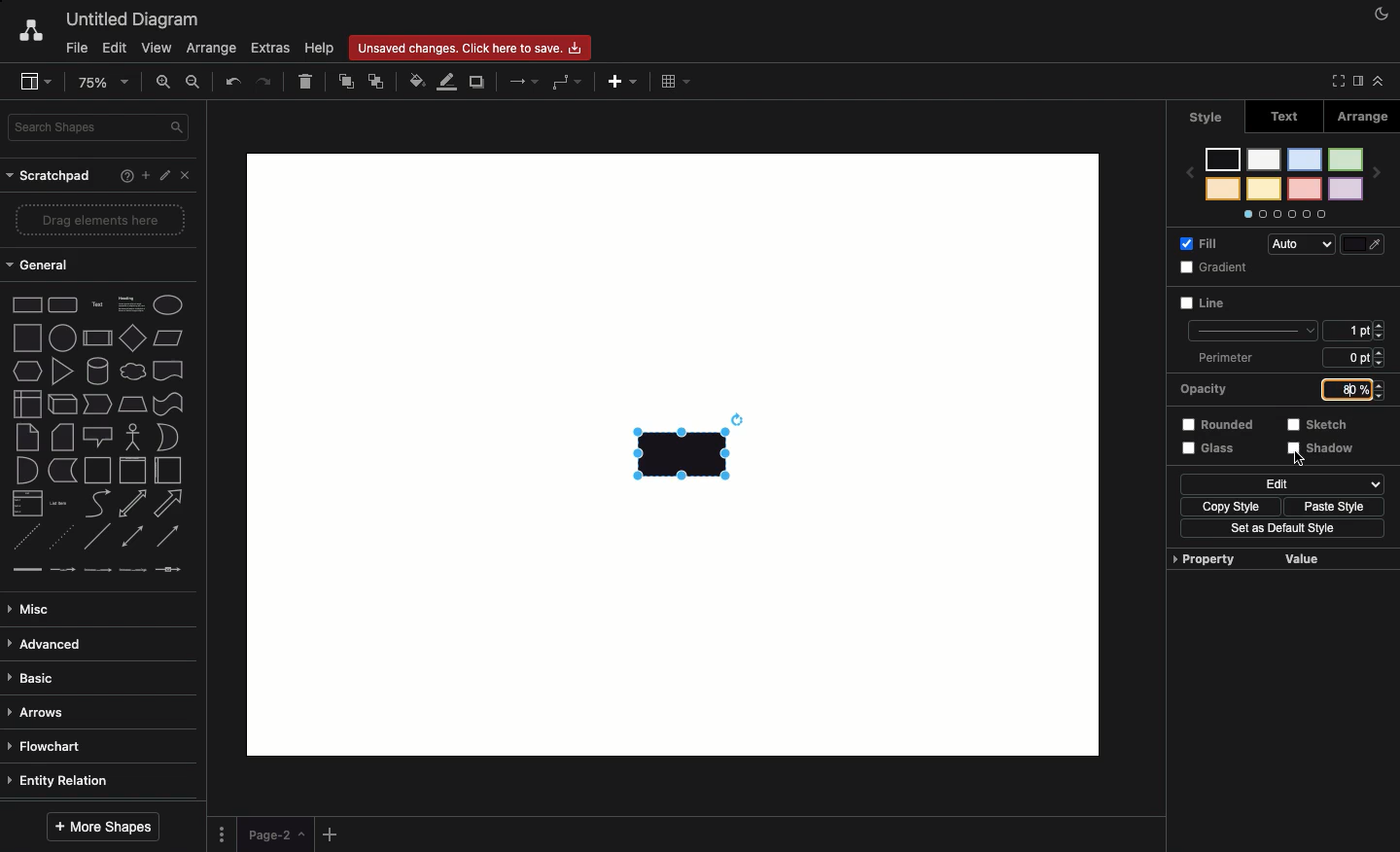 The image size is (1400, 852). What do you see at coordinates (332, 834) in the screenshot?
I see `Add` at bounding box center [332, 834].